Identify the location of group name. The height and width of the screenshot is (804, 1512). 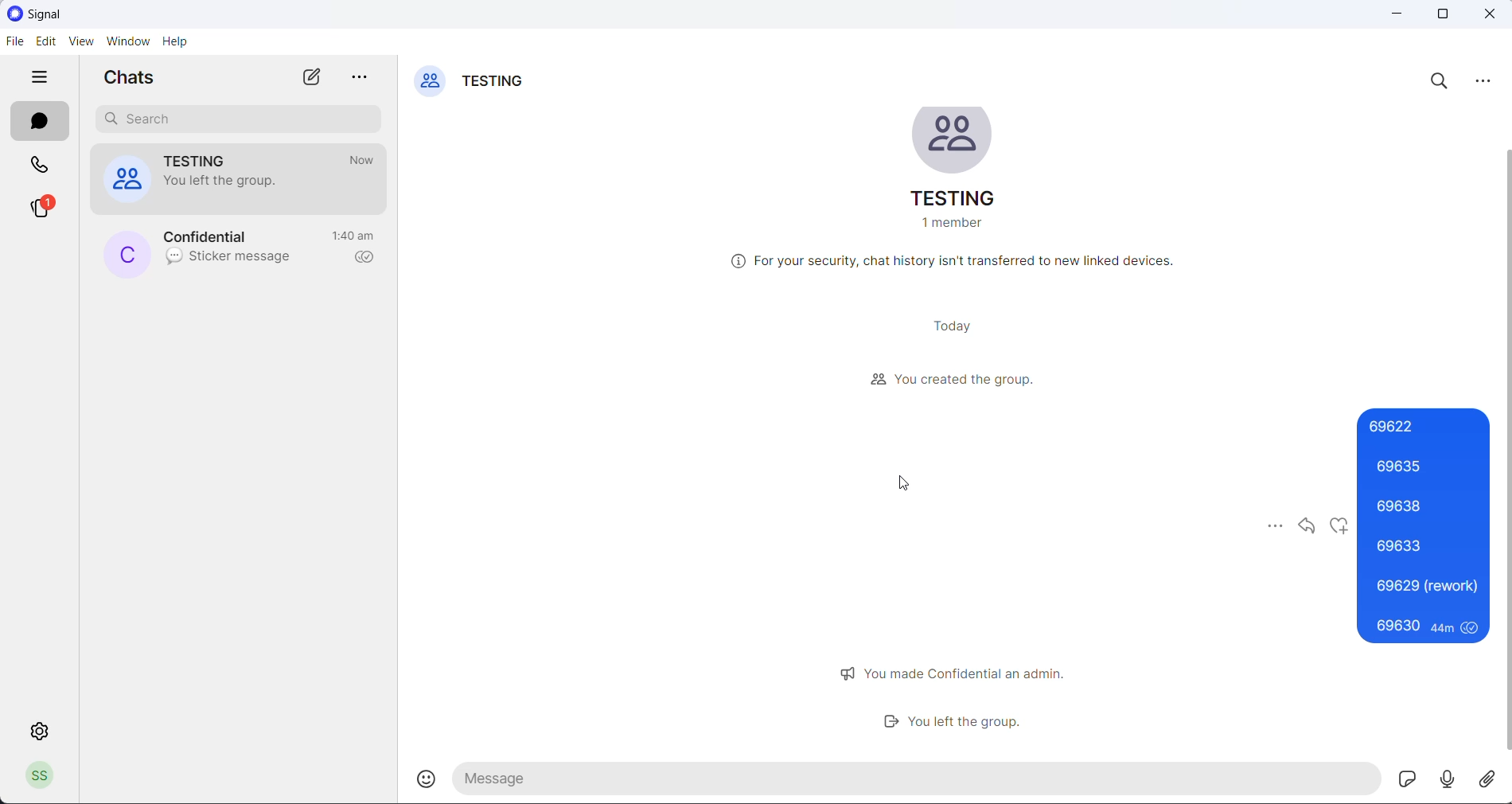
(207, 158).